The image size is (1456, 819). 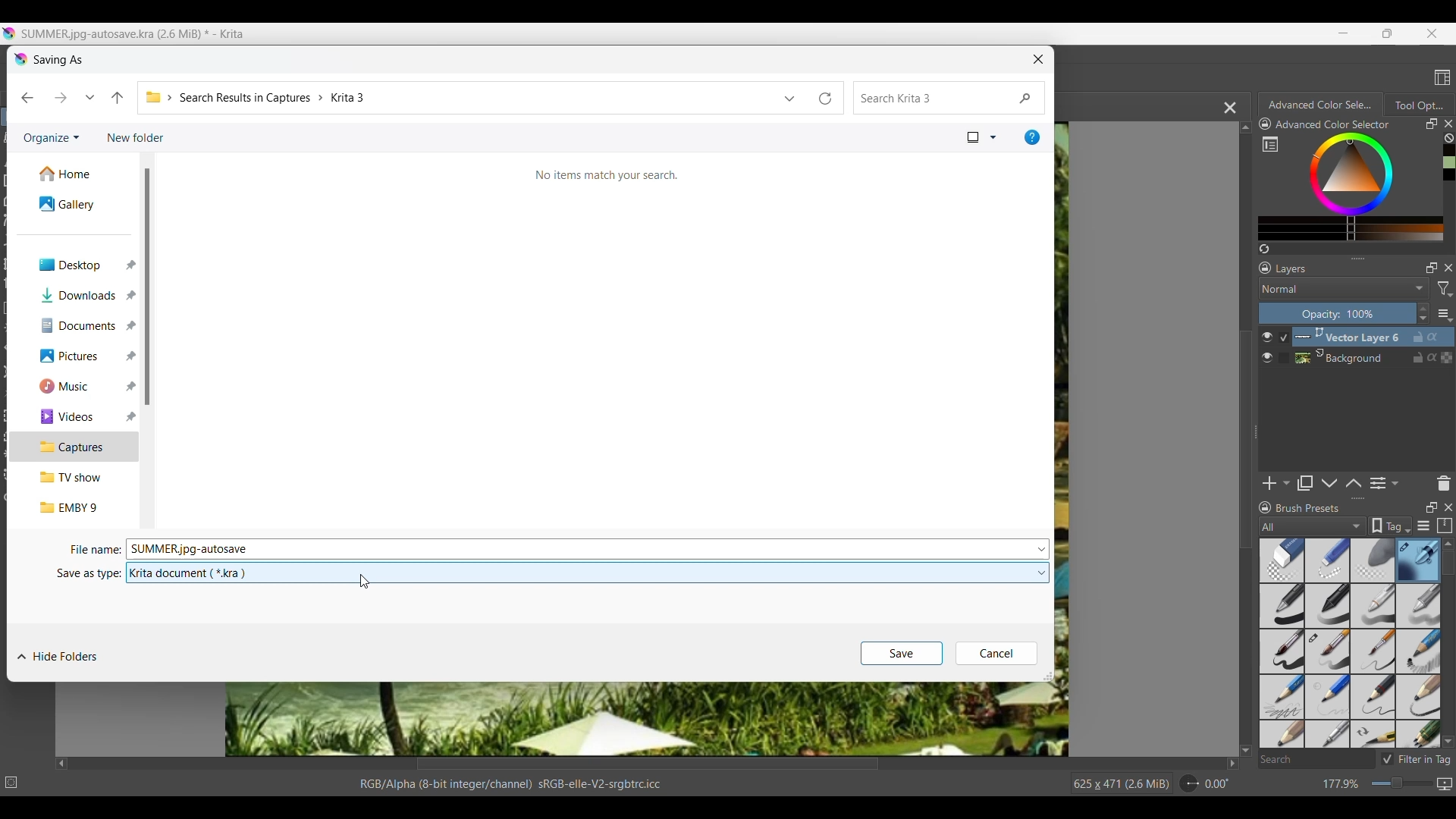 I want to click on Current zoom factor, so click(x=1341, y=784).